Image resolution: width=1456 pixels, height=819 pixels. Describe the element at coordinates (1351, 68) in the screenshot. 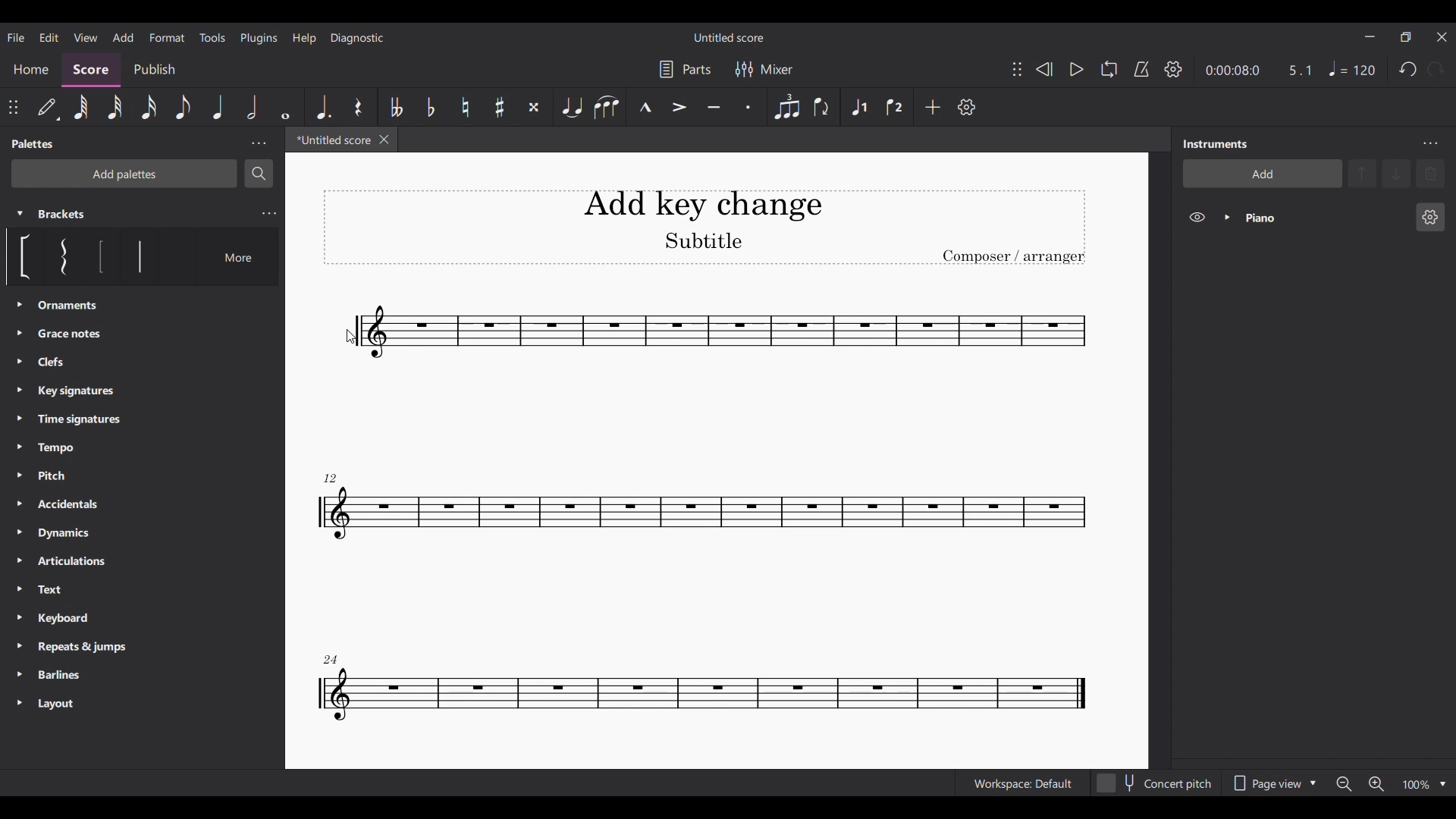

I see `Quarter note` at that location.